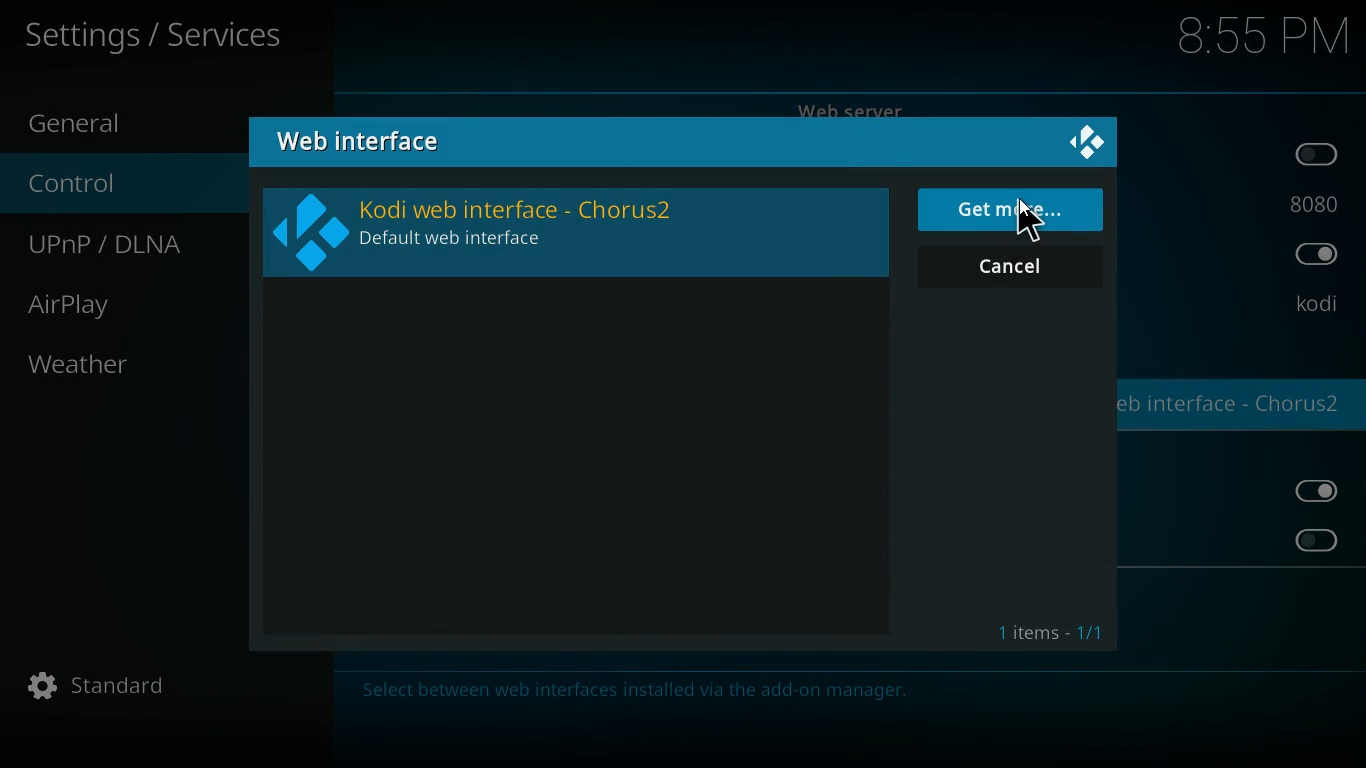  What do you see at coordinates (572, 231) in the screenshot?
I see `kodi web interface` at bounding box center [572, 231].